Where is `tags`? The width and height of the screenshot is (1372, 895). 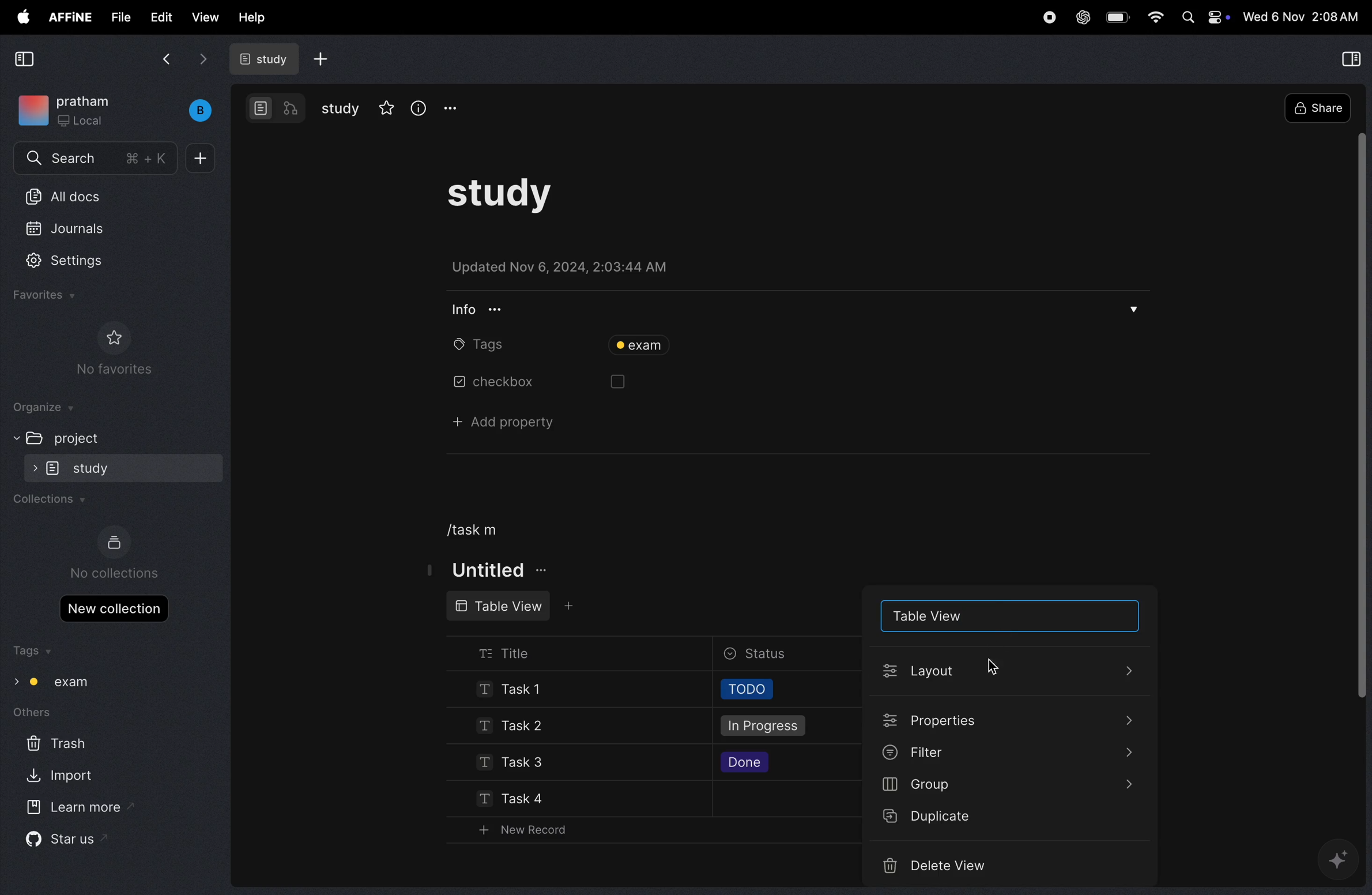 tags is located at coordinates (469, 345).